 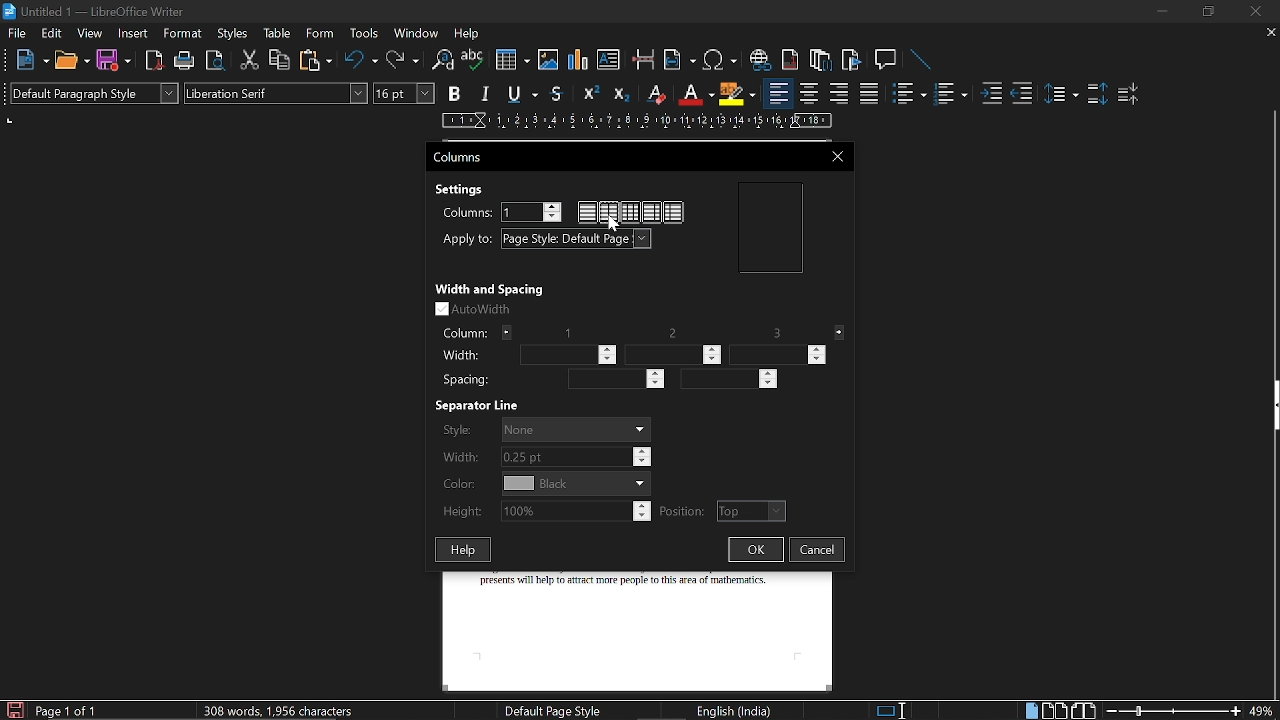 What do you see at coordinates (1191, 710) in the screenshot?
I see `change zoom` at bounding box center [1191, 710].